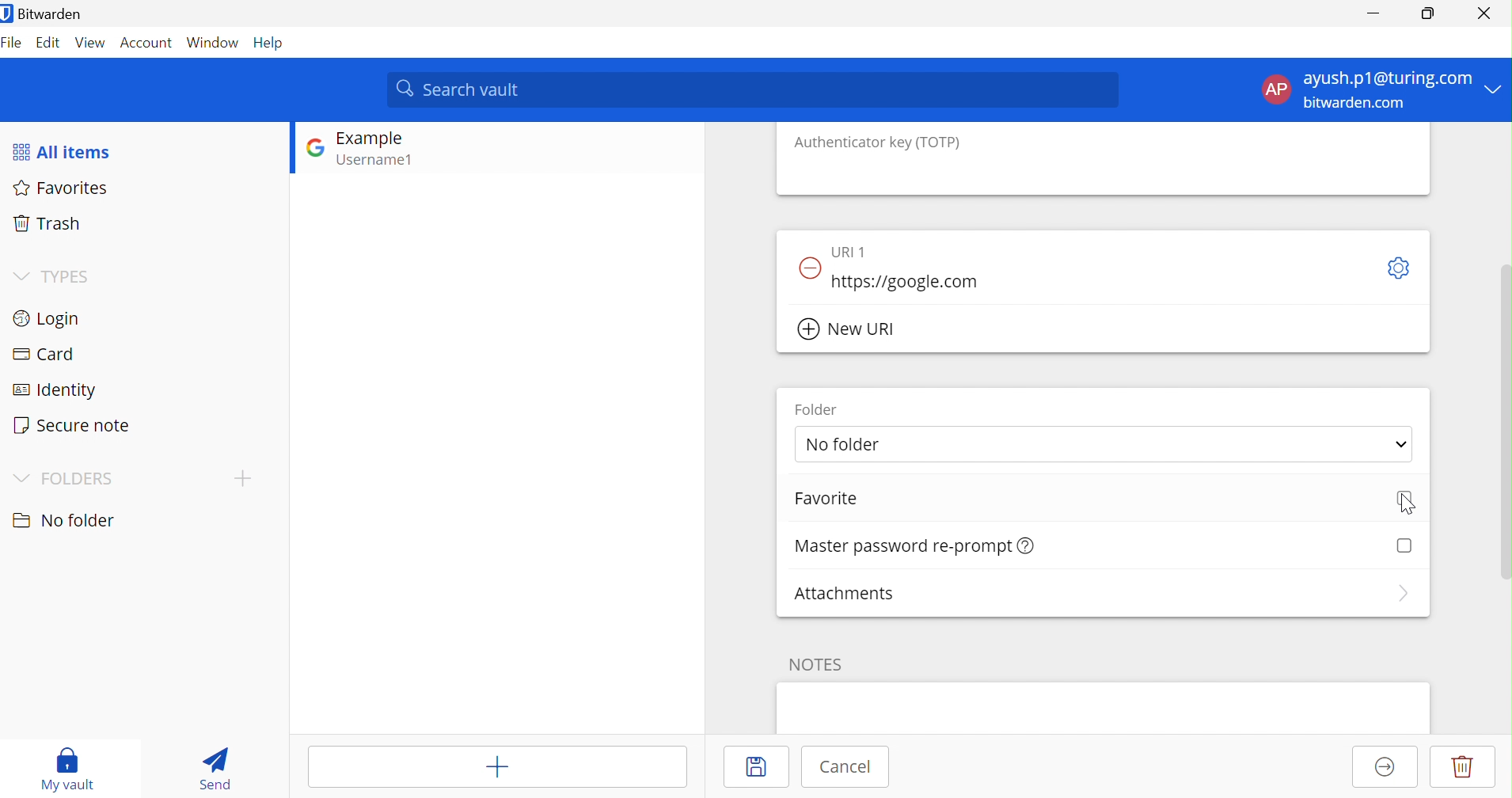  I want to click on ACCOUNT OPTIONS, so click(1369, 90).